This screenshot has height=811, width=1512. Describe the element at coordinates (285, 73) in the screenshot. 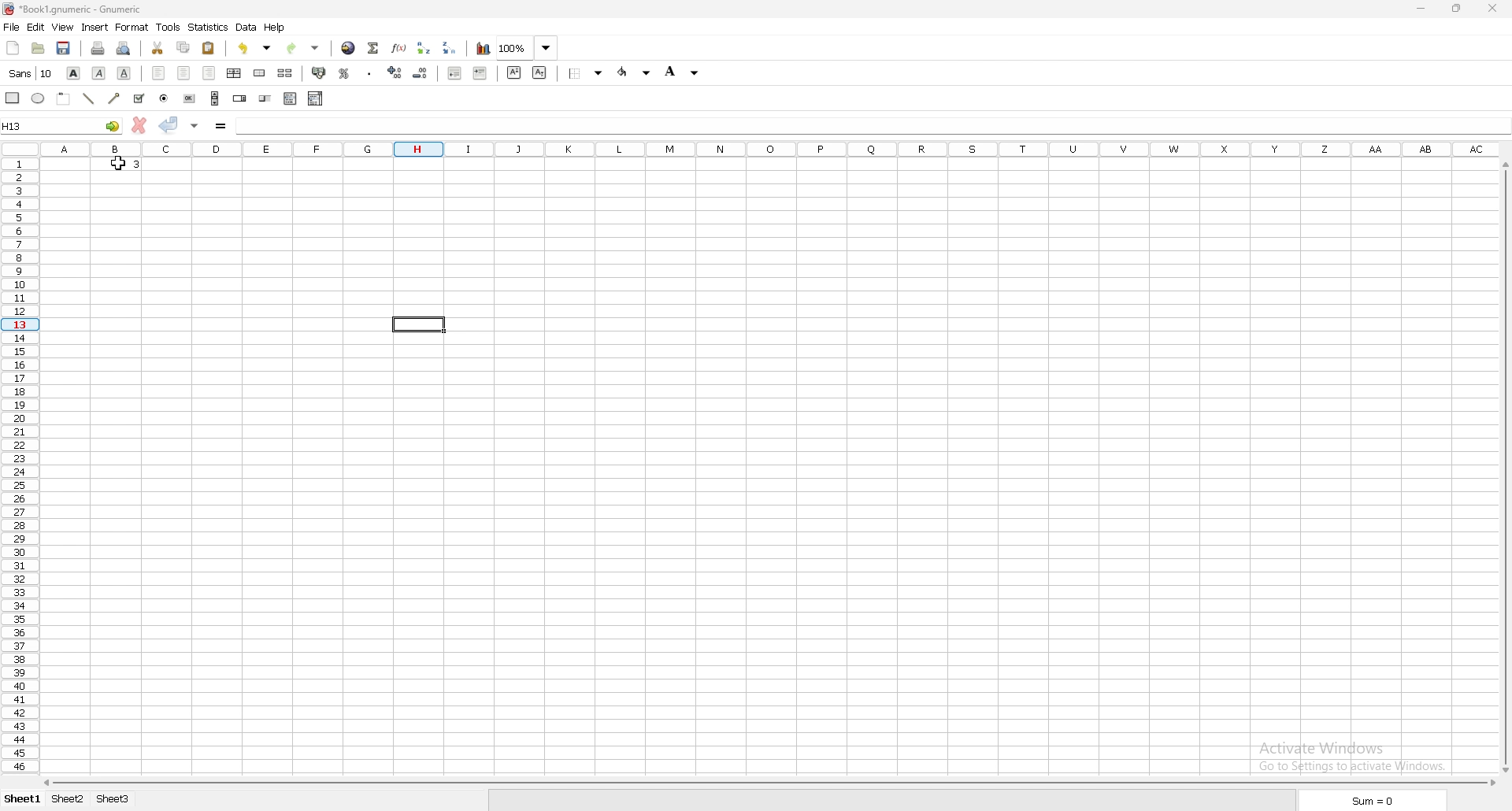

I see `split merged cells` at that location.